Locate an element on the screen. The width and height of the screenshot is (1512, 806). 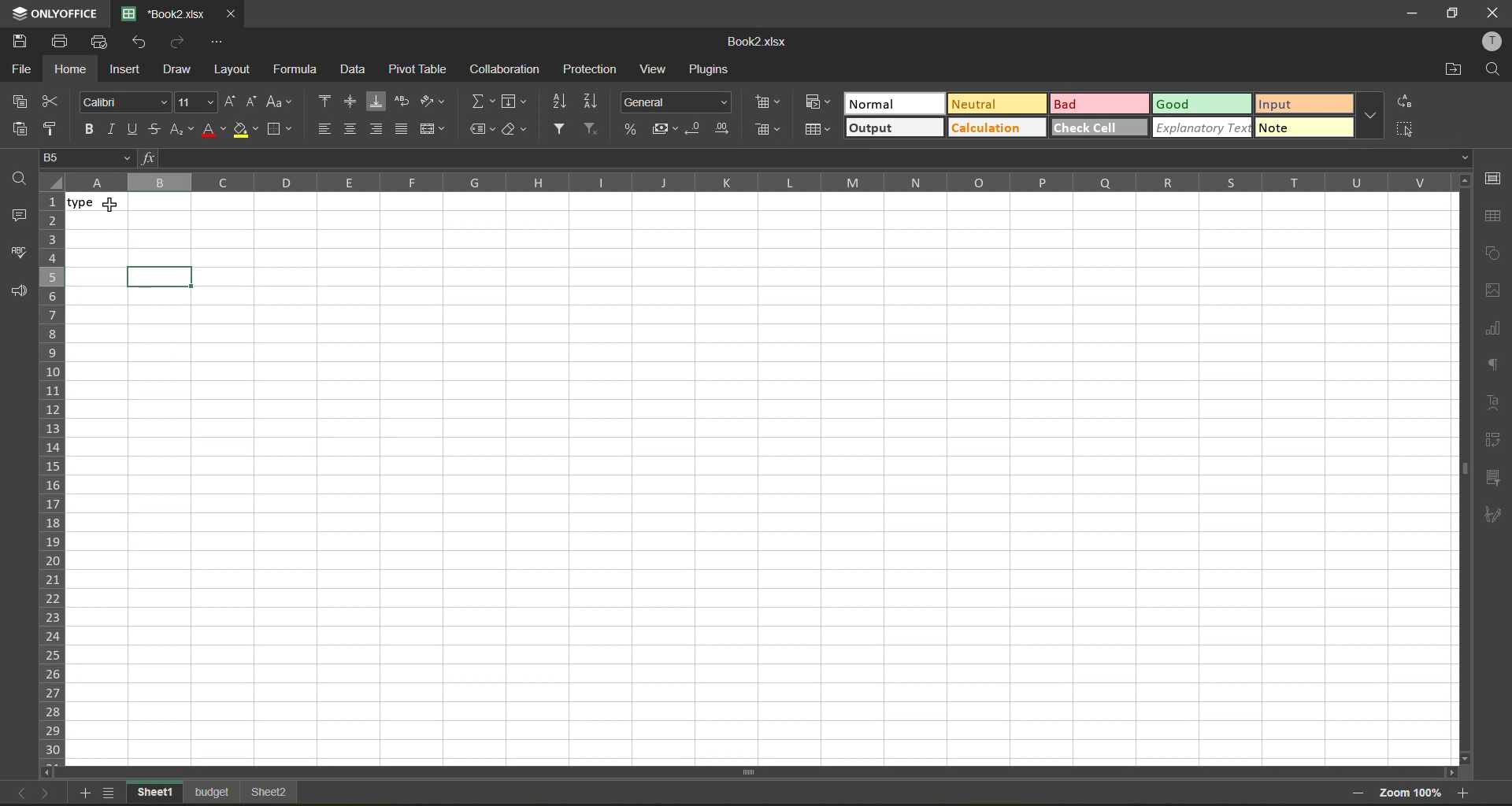
align top is located at coordinates (326, 103).